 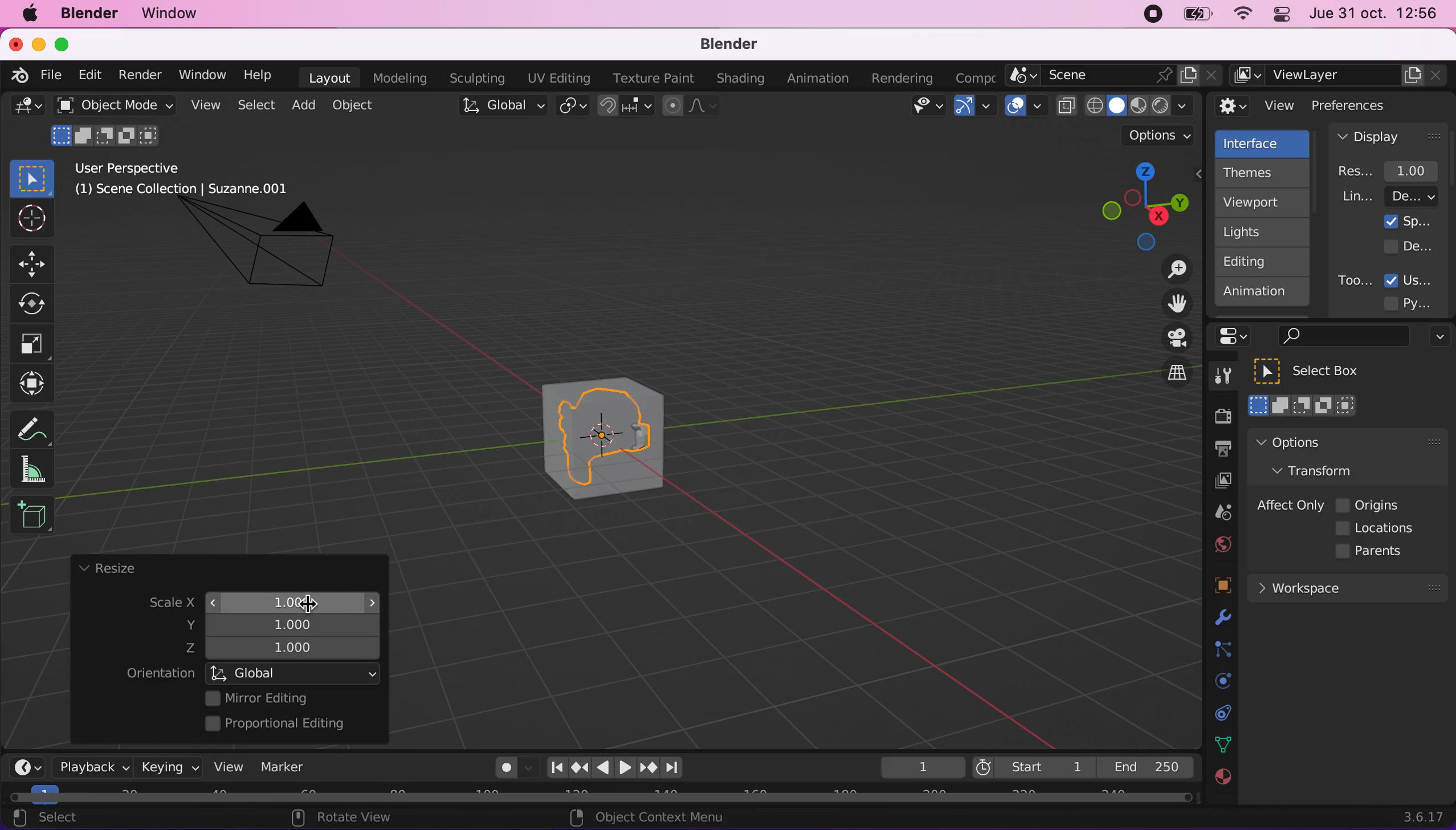 What do you see at coordinates (1032, 767) in the screenshot?
I see `start 1` at bounding box center [1032, 767].